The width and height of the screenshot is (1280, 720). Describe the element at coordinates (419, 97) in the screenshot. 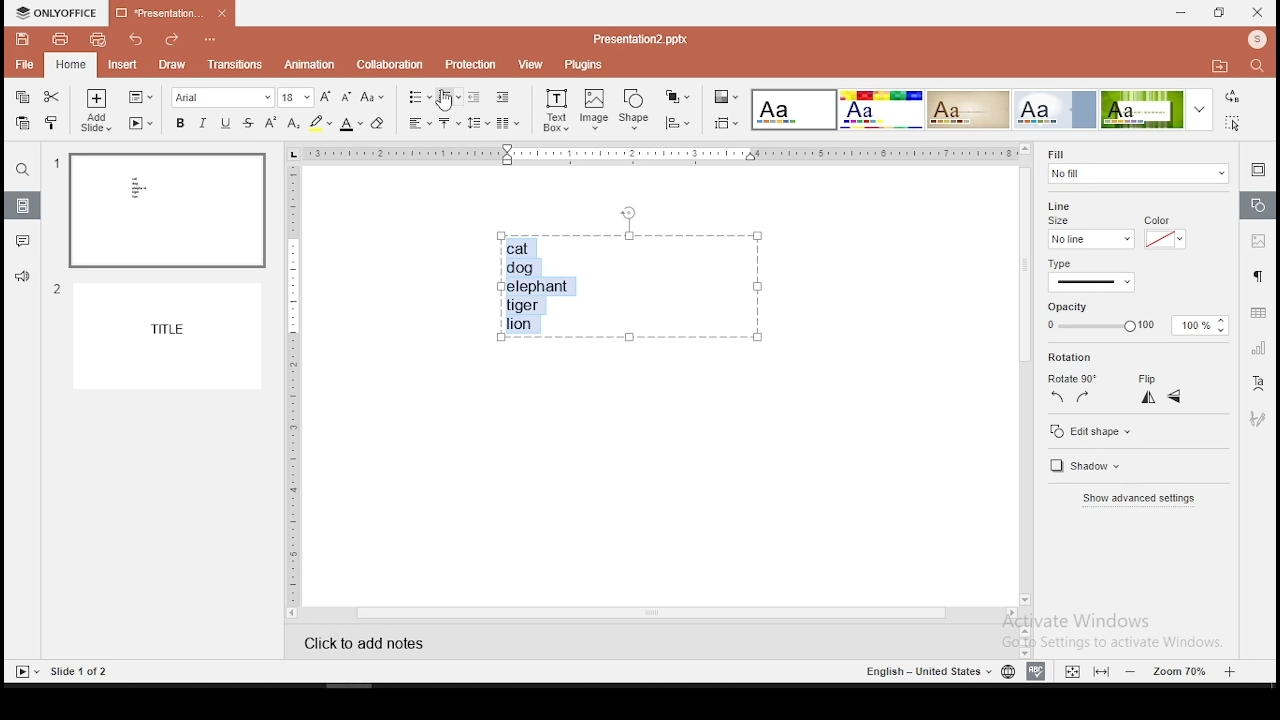

I see `bullets` at that location.